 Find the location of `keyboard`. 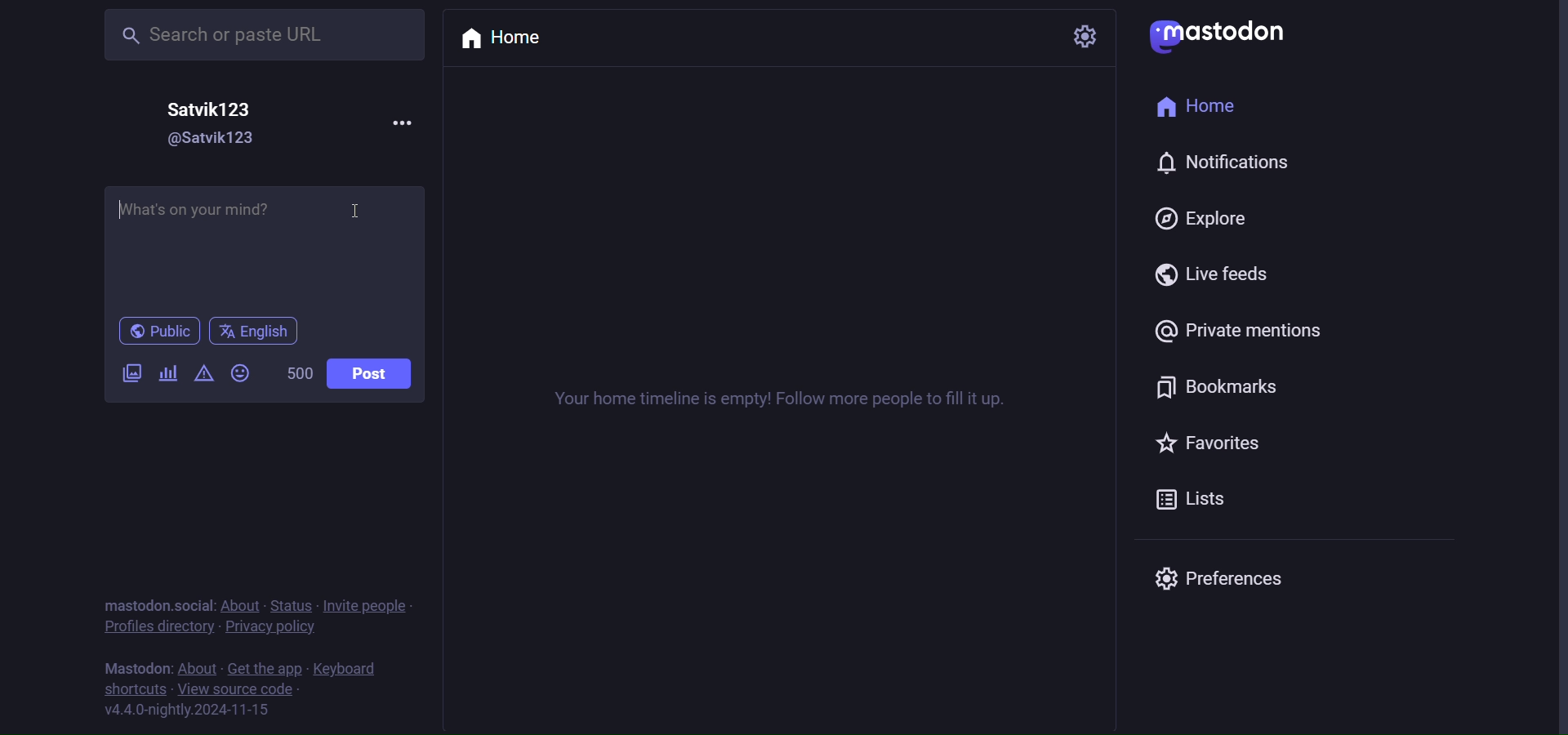

keyboard is located at coordinates (347, 670).